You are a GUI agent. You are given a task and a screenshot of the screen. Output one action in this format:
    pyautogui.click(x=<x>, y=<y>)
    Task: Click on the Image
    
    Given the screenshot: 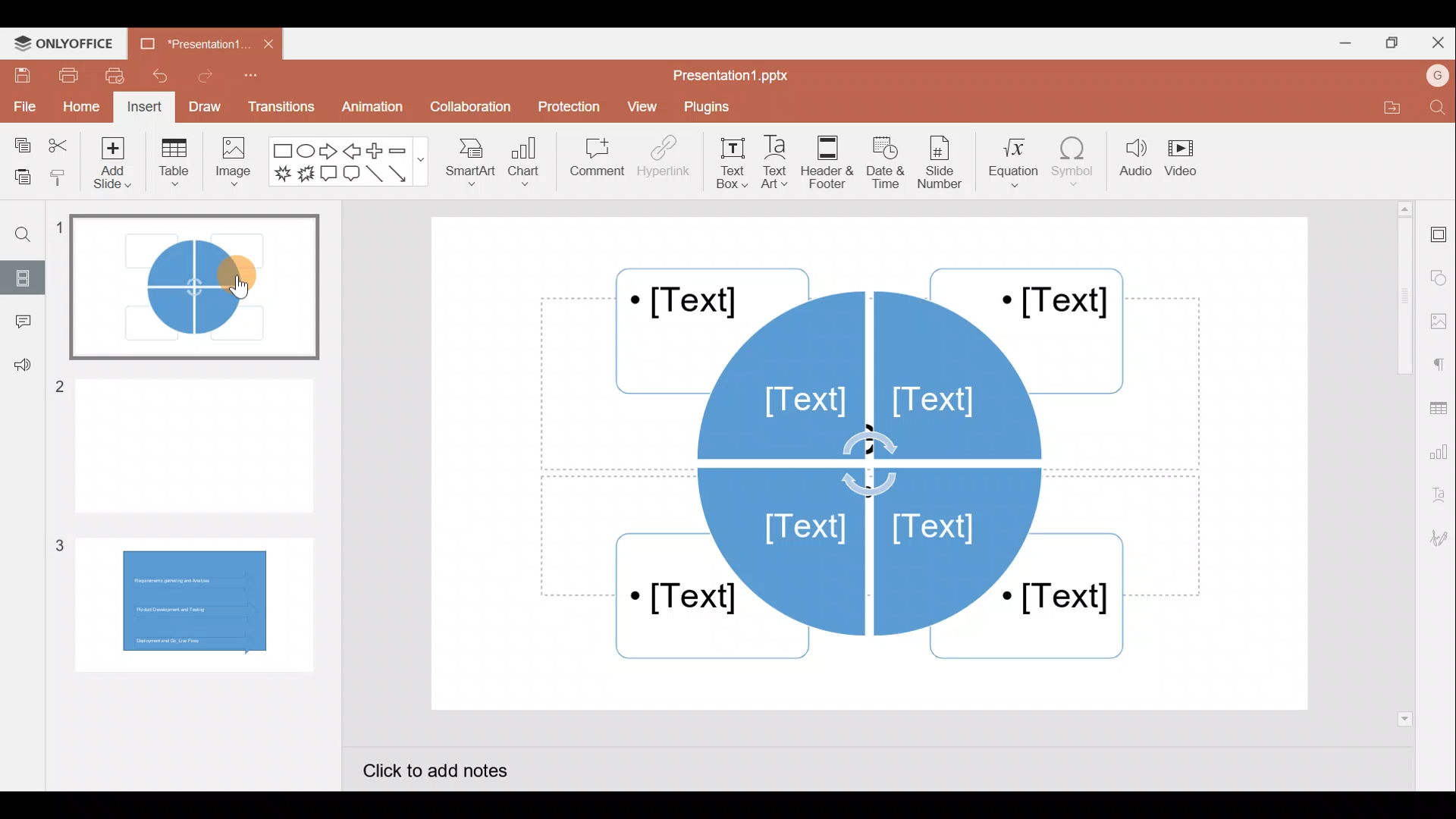 What is the action you would take?
    pyautogui.click(x=236, y=168)
    